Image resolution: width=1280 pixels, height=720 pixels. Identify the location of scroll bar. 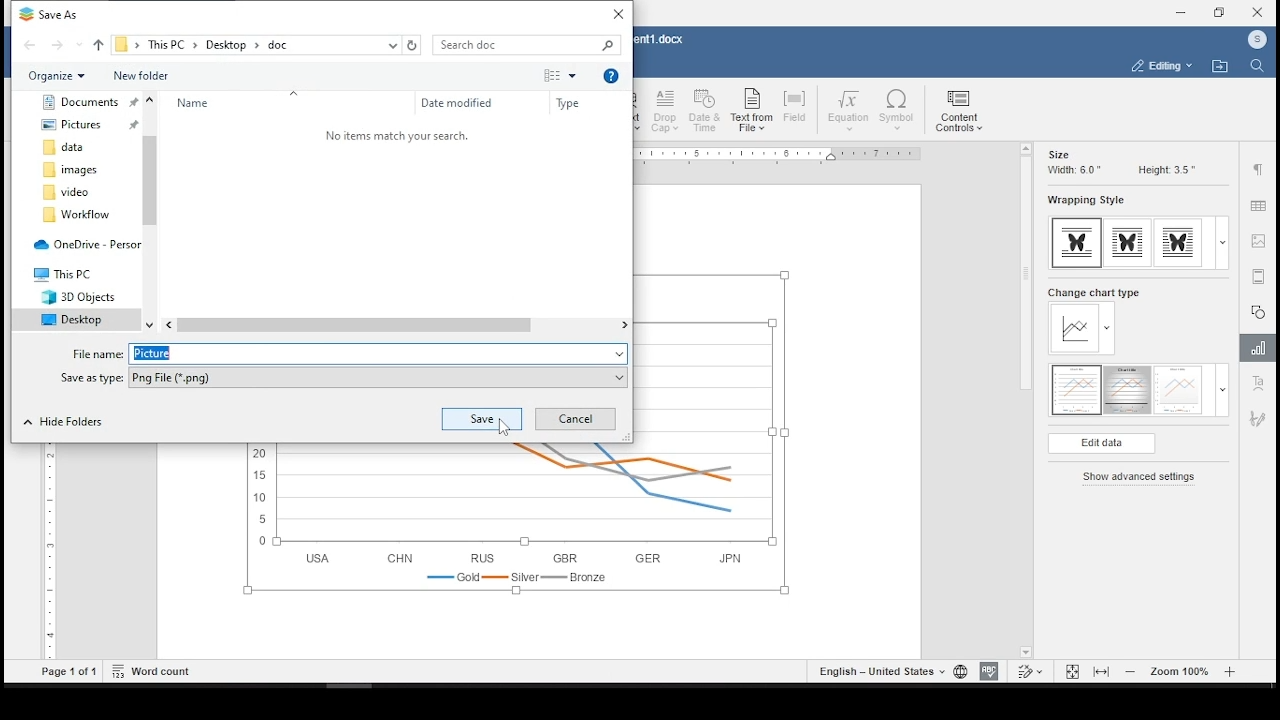
(149, 212).